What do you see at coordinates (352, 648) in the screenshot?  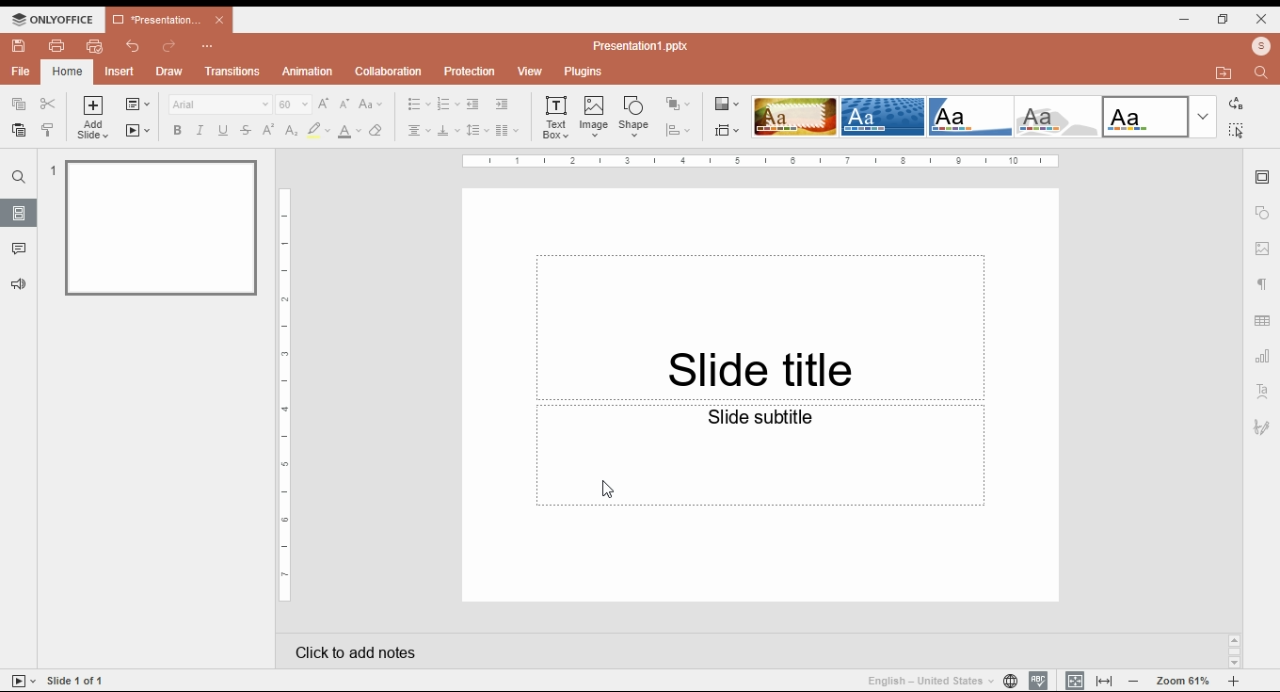 I see `click add notes` at bounding box center [352, 648].